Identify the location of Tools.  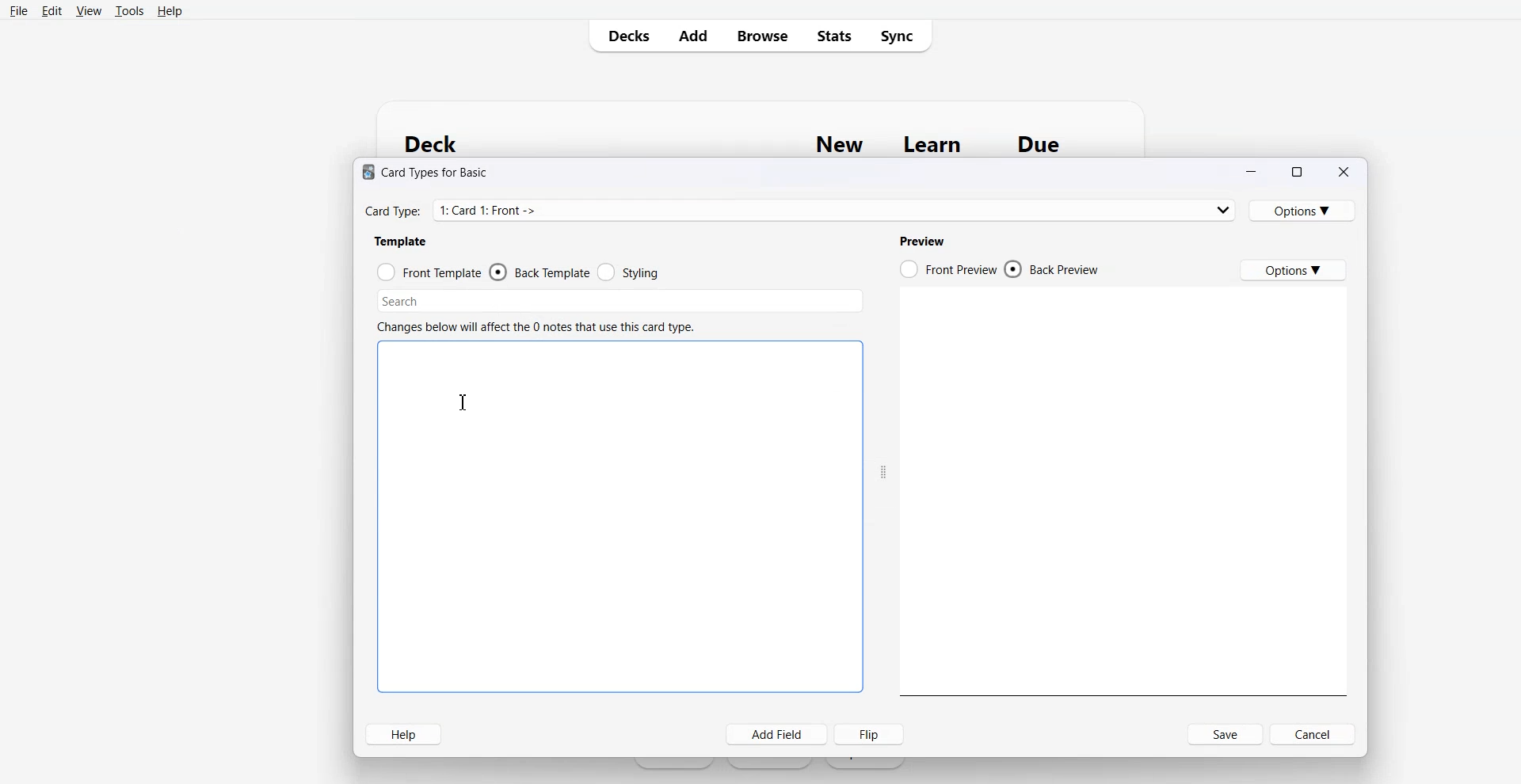
(129, 10).